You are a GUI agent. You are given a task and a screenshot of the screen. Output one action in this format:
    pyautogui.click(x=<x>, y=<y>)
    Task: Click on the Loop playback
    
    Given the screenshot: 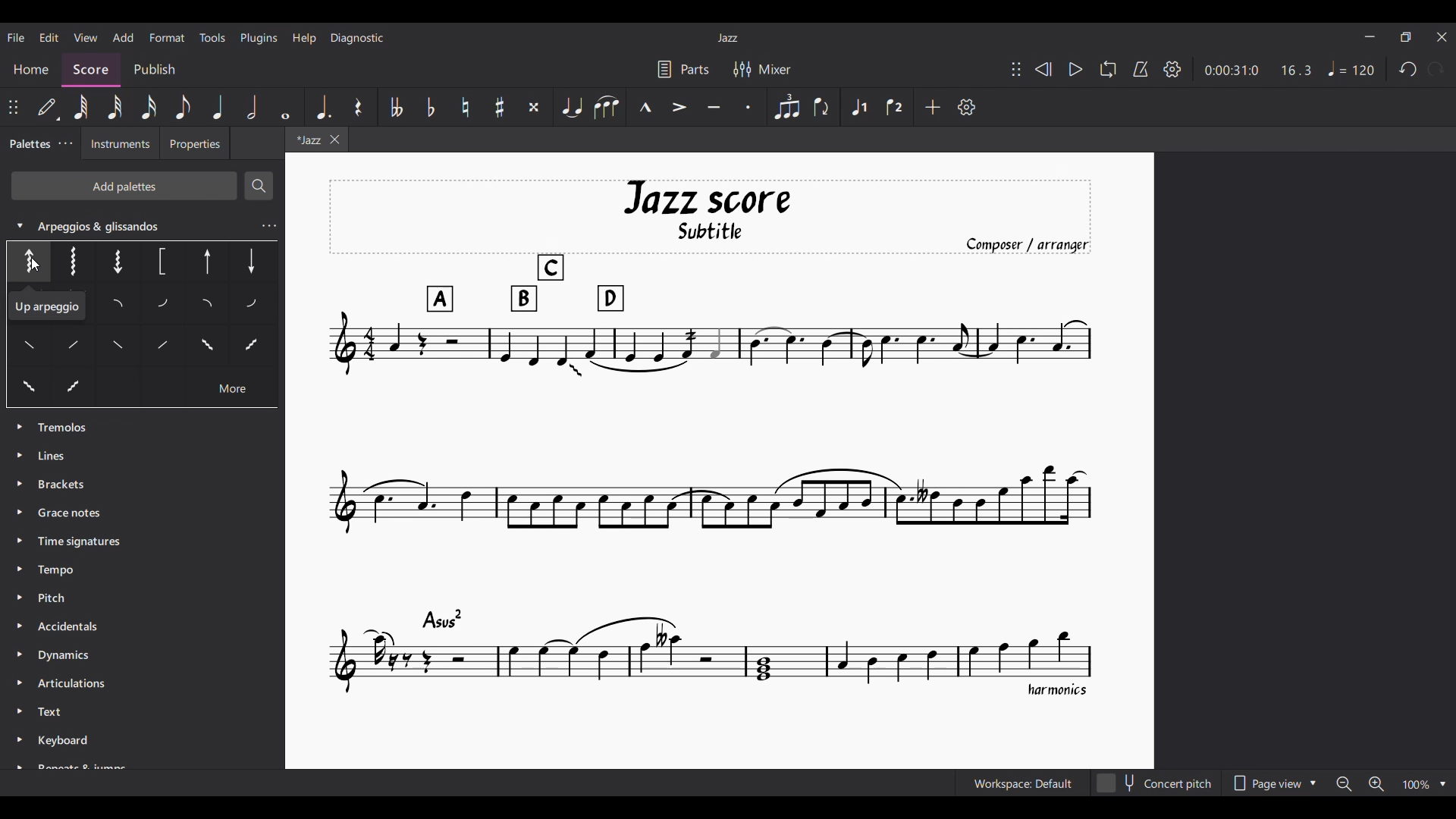 What is the action you would take?
    pyautogui.click(x=1109, y=69)
    